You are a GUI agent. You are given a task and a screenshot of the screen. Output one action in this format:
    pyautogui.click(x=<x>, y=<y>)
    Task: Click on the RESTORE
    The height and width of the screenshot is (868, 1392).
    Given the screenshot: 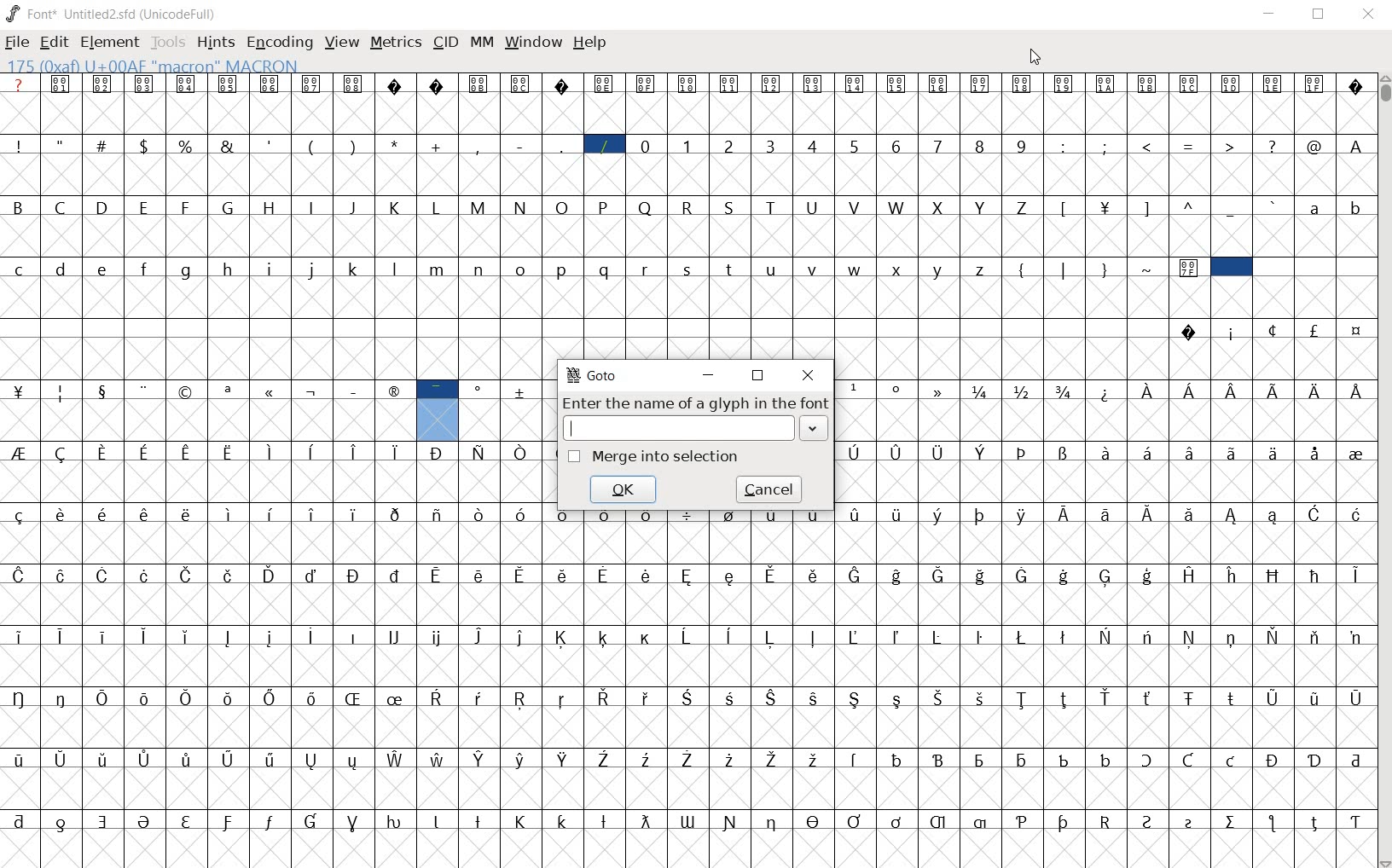 What is the action you would take?
    pyautogui.click(x=1318, y=16)
    